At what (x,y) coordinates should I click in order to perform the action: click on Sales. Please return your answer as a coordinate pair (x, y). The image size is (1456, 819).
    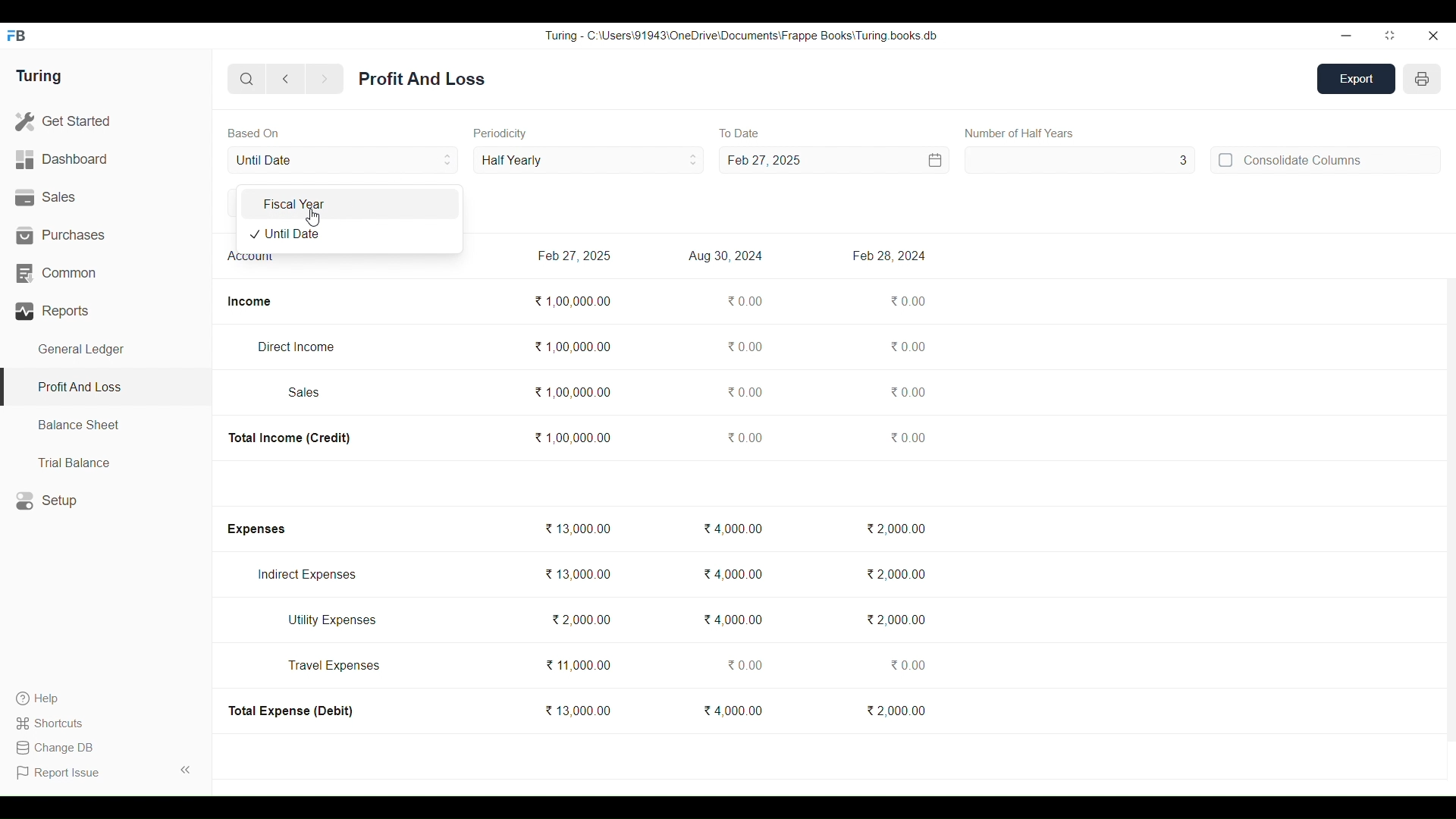
    Looking at the image, I should click on (305, 392).